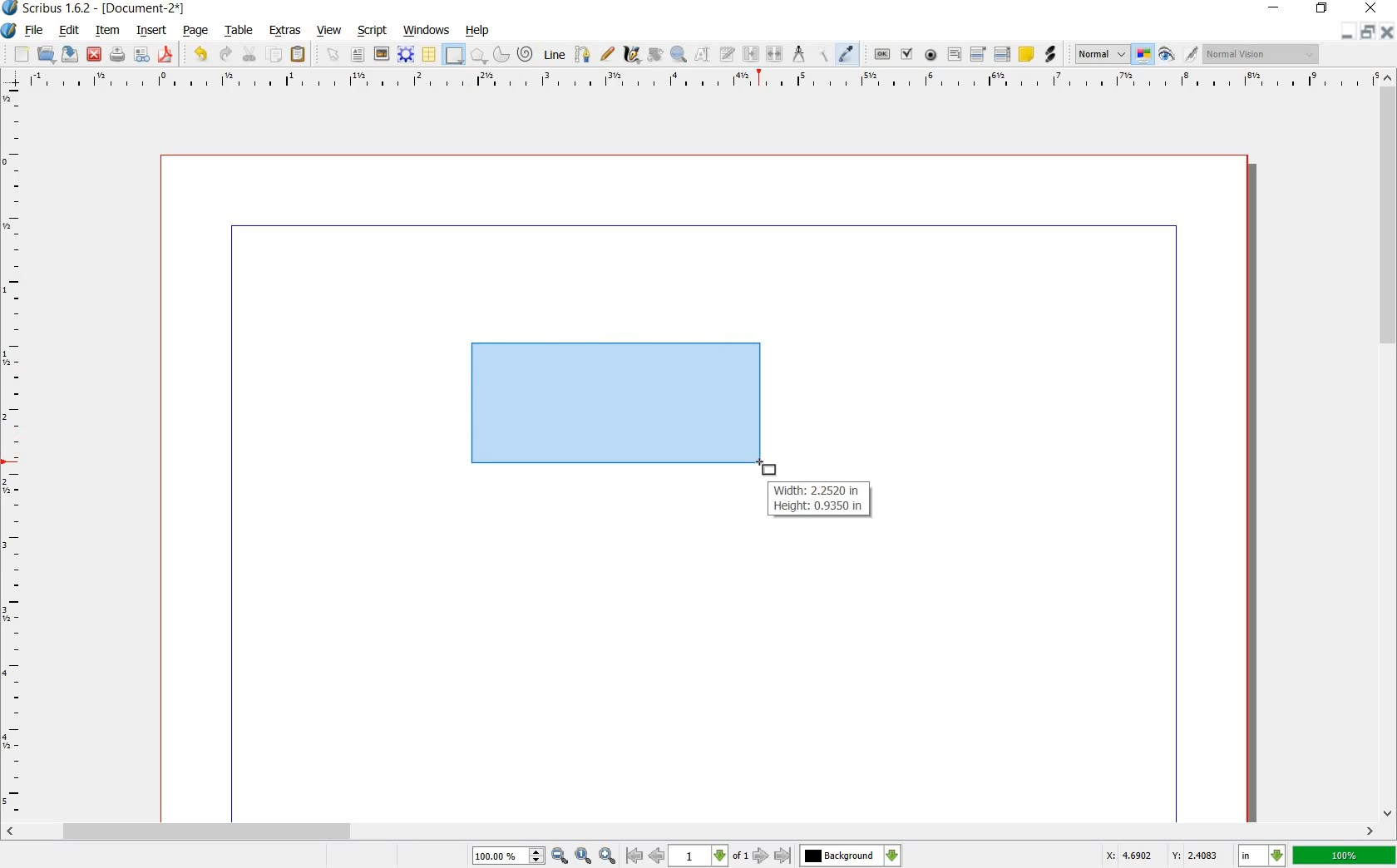  I want to click on LINE, so click(555, 52).